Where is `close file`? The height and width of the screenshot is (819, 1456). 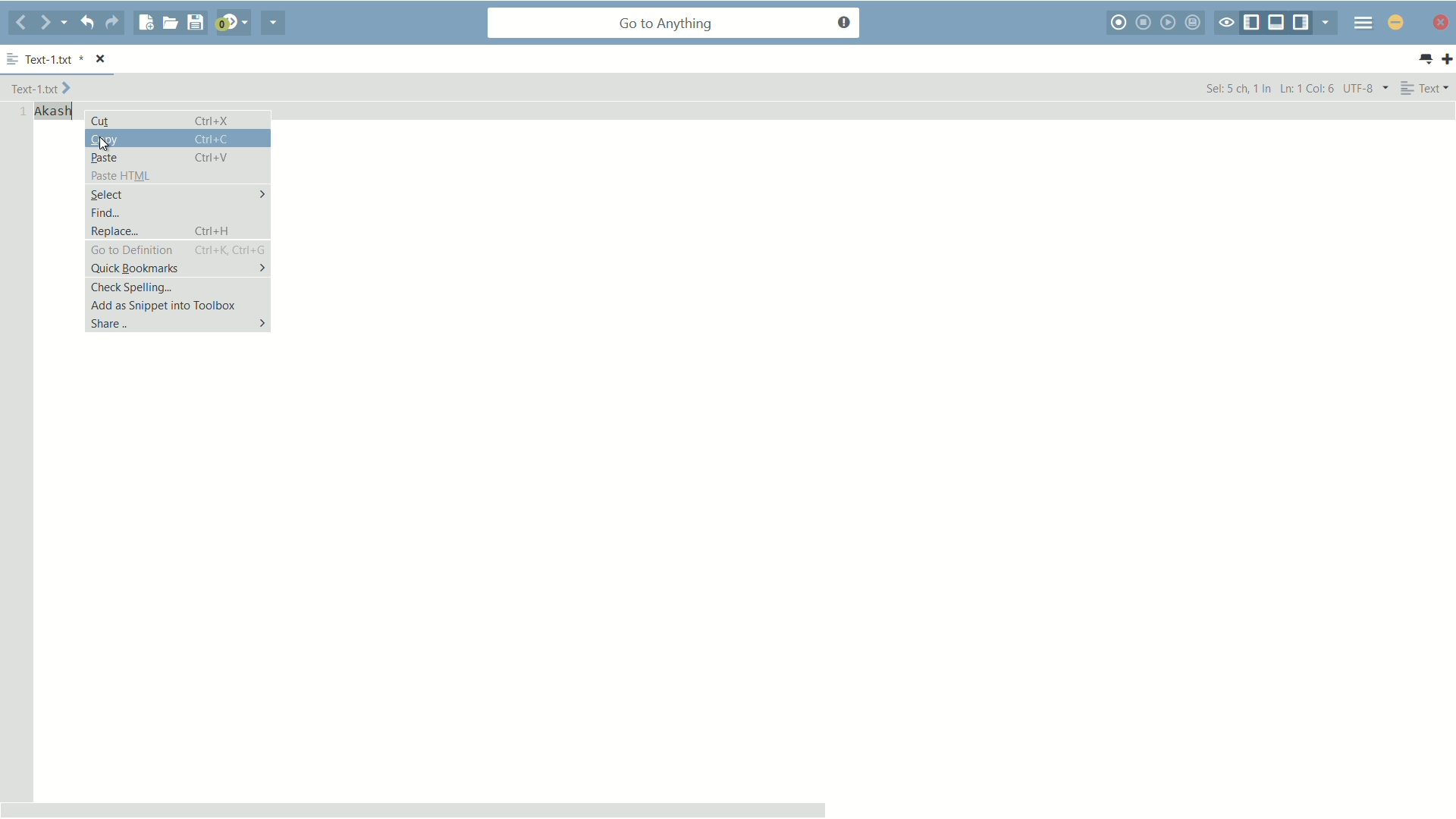
close file is located at coordinates (102, 60).